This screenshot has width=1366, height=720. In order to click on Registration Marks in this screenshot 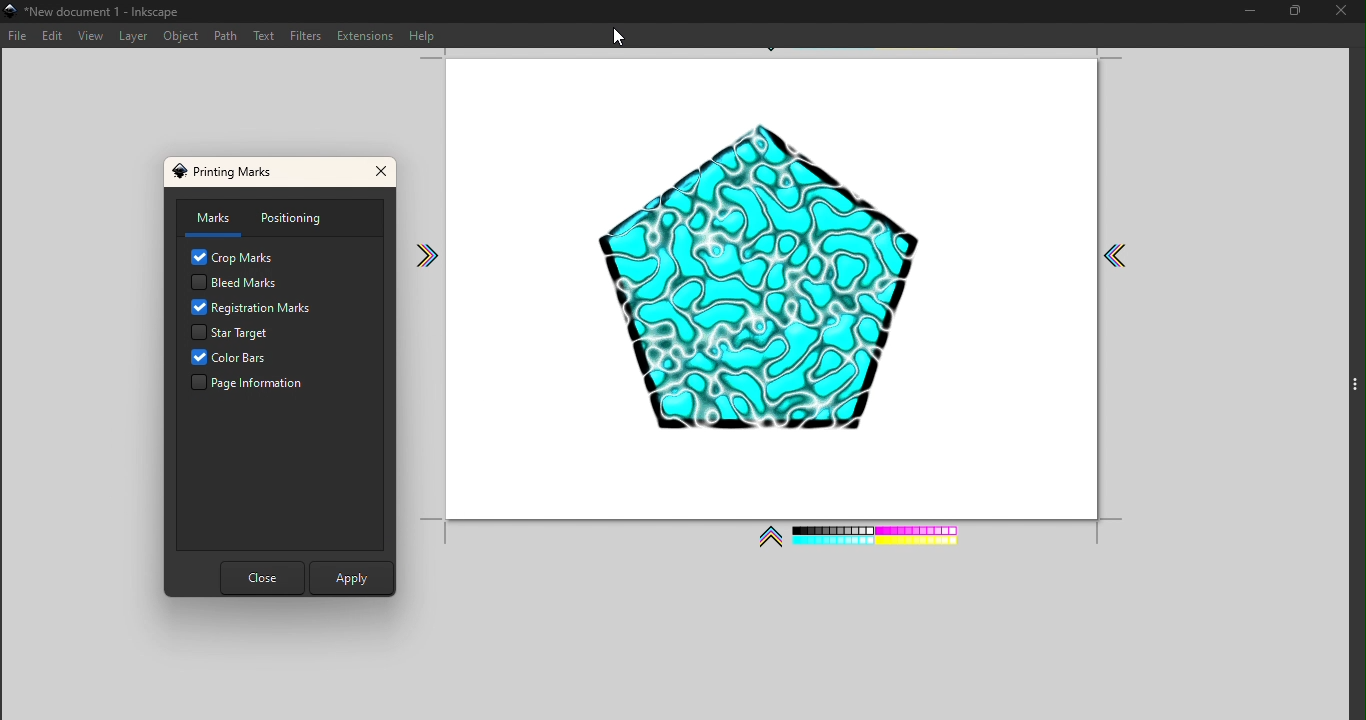, I will do `click(254, 309)`.